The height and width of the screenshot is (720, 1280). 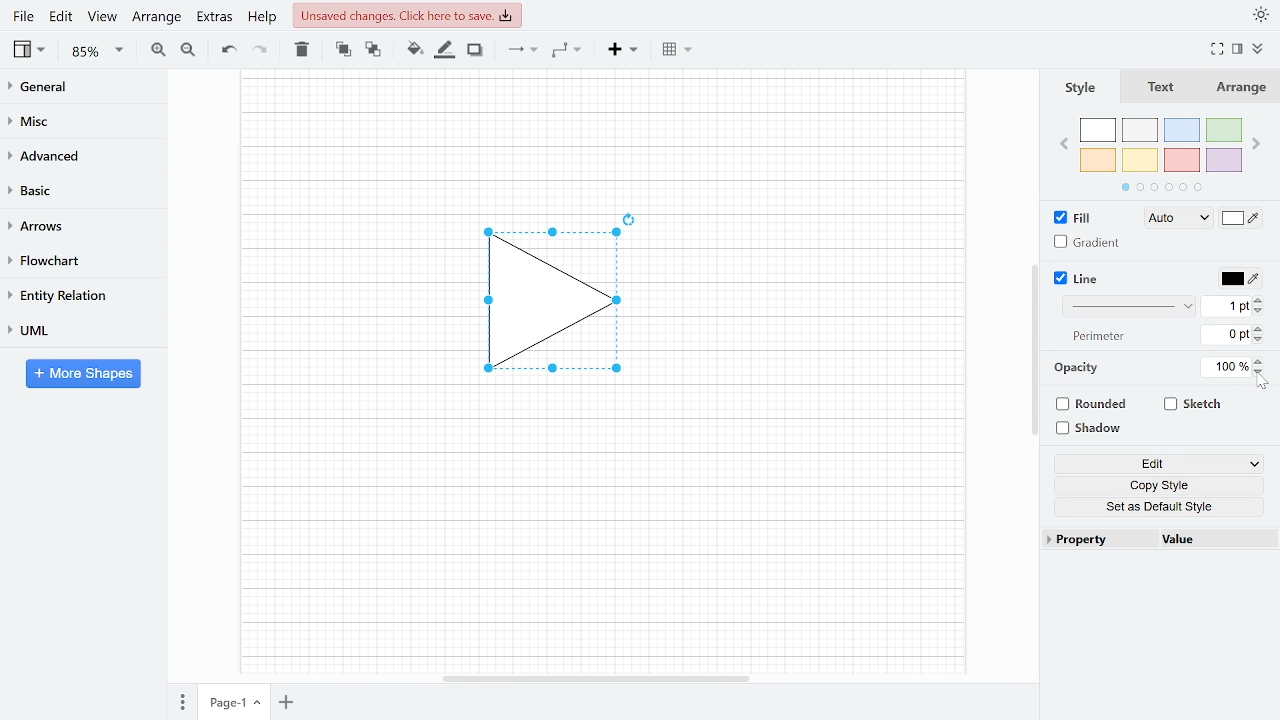 What do you see at coordinates (1238, 276) in the screenshot?
I see `Line color` at bounding box center [1238, 276].